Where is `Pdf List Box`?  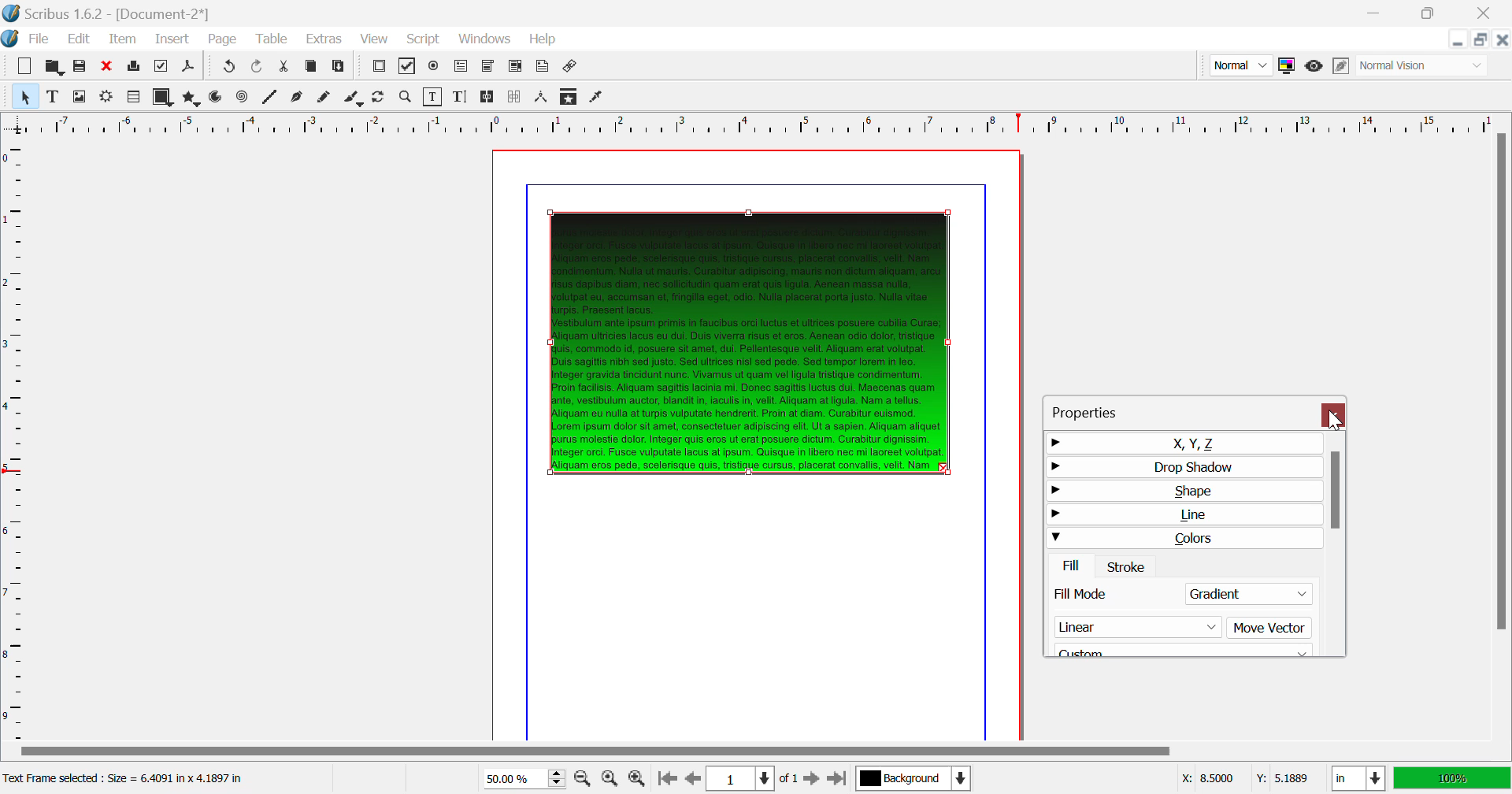
Pdf List Box is located at coordinates (515, 68).